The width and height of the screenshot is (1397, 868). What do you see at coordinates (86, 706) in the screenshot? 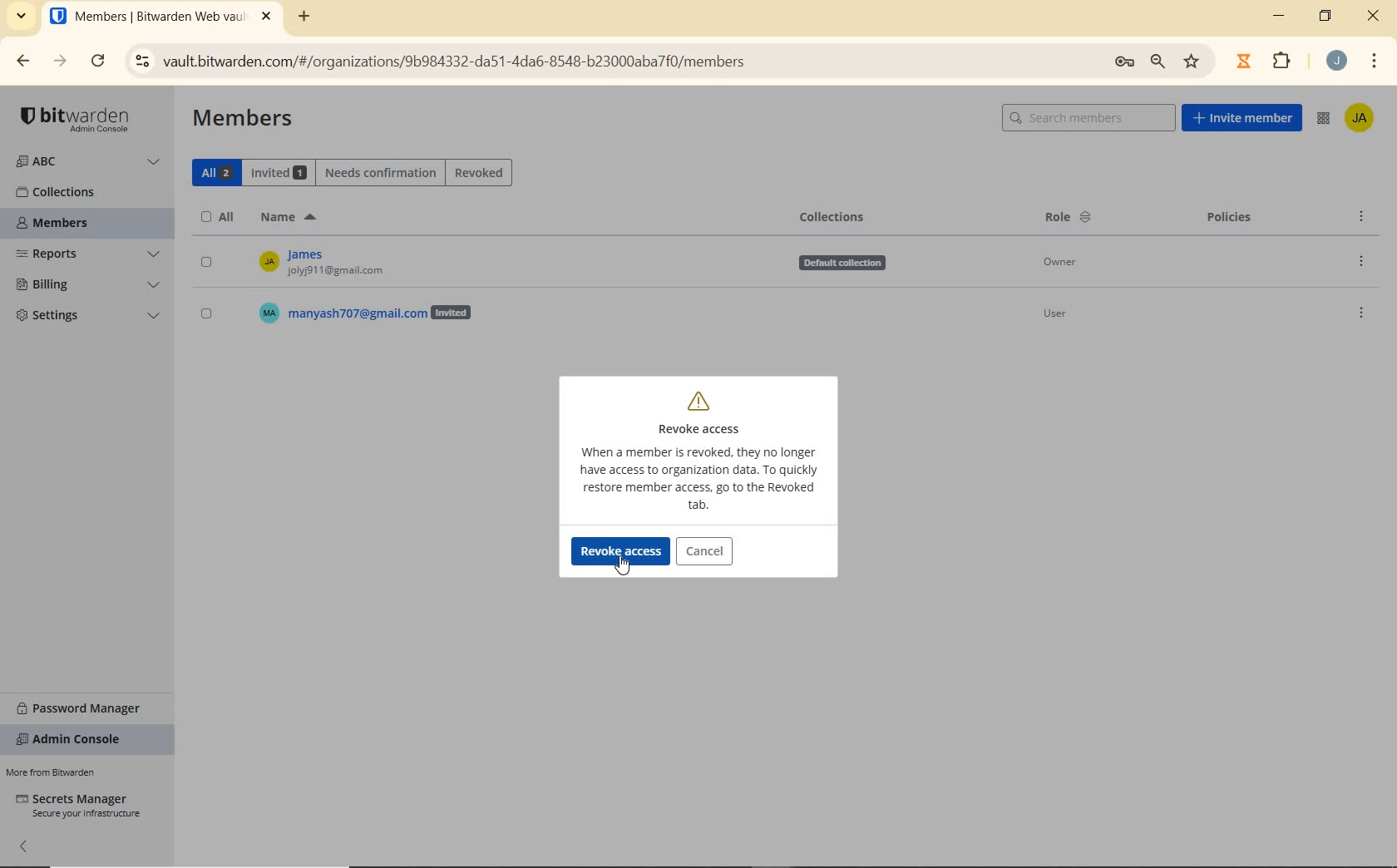
I see `PASSWORD MANAGER` at bounding box center [86, 706].